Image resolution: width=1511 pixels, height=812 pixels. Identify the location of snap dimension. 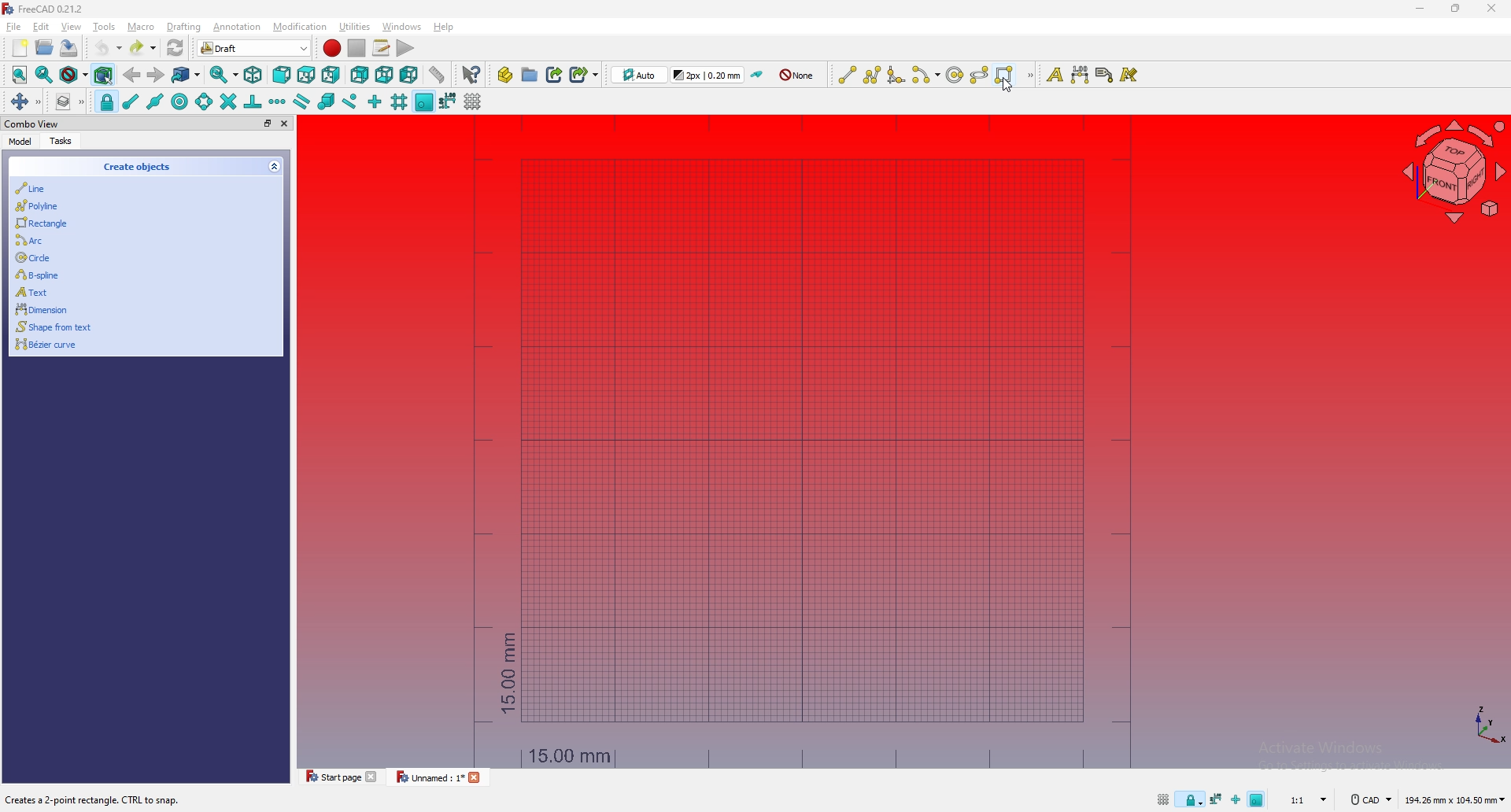
(1217, 799).